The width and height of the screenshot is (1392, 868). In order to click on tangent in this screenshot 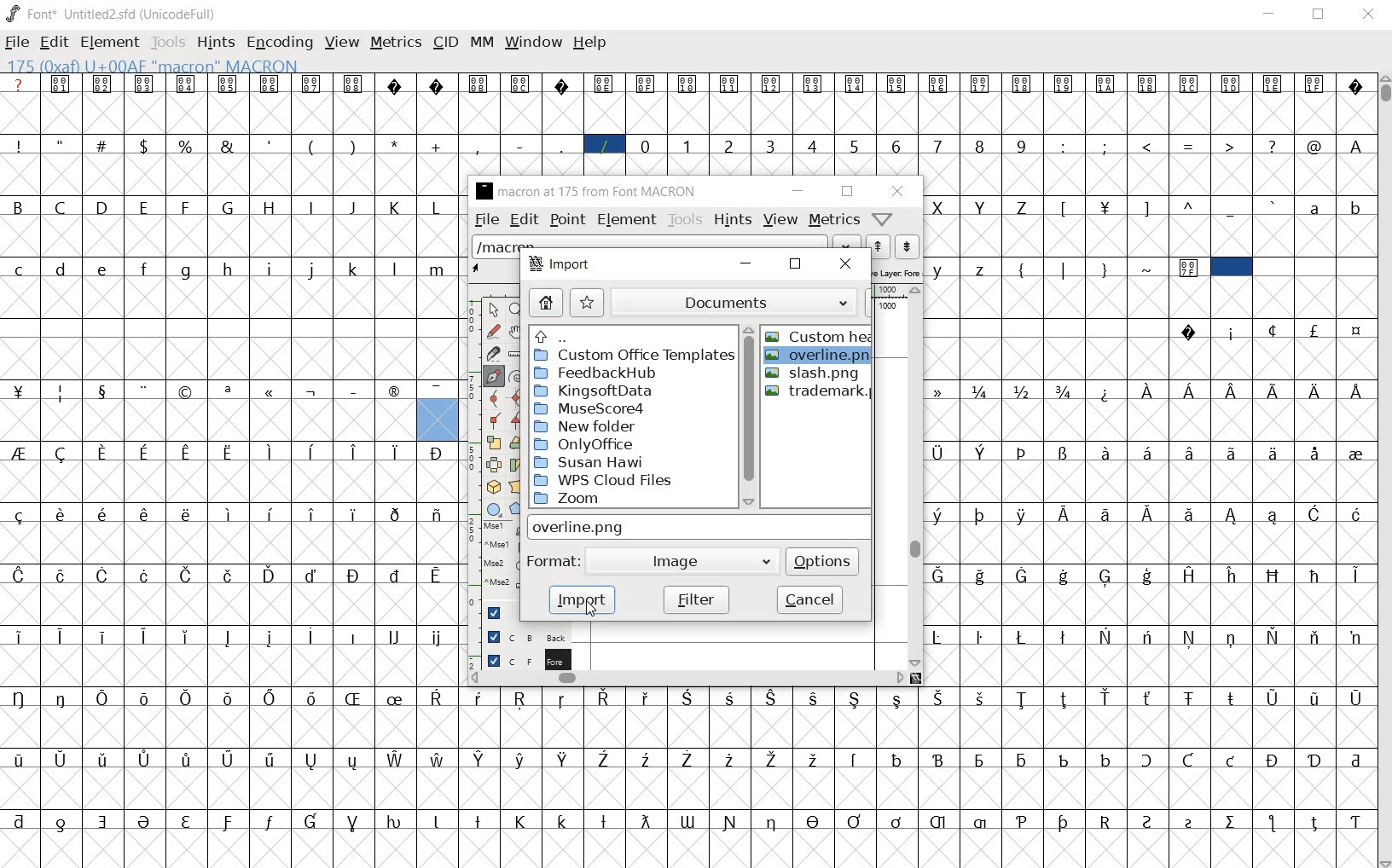, I will do `click(513, 420)`.